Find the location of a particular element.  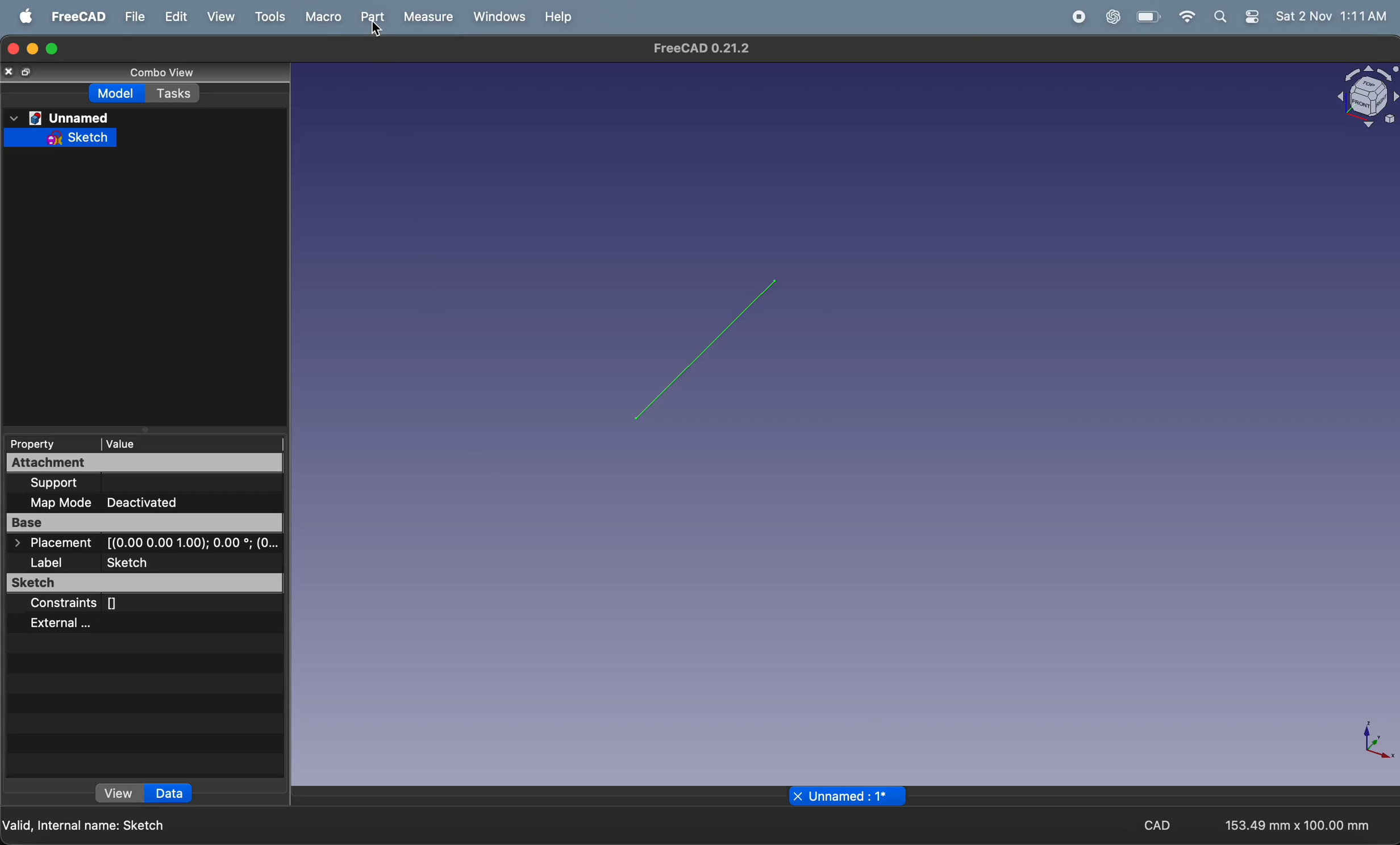

Apple menu is located at coordinates (22, 16).